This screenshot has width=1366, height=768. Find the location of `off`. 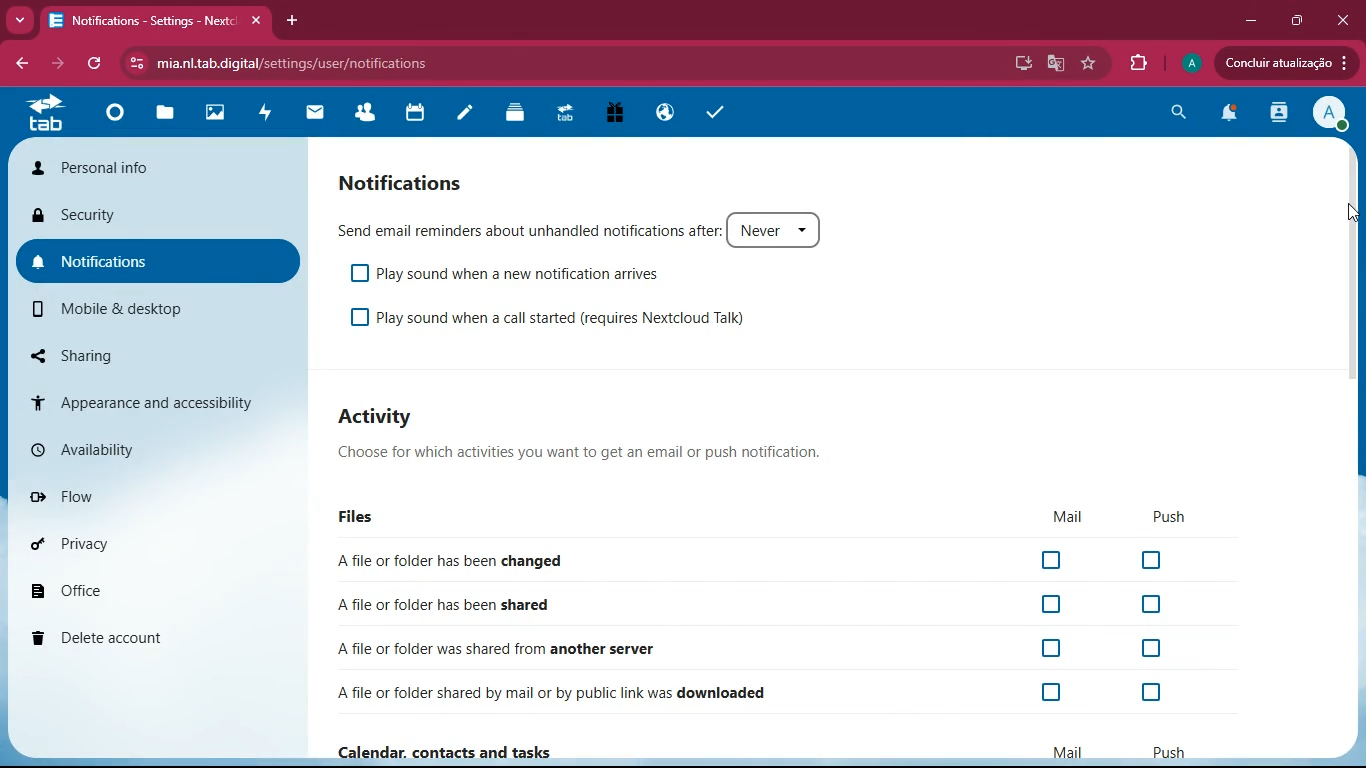

off is located at coordinates (1050, 558).